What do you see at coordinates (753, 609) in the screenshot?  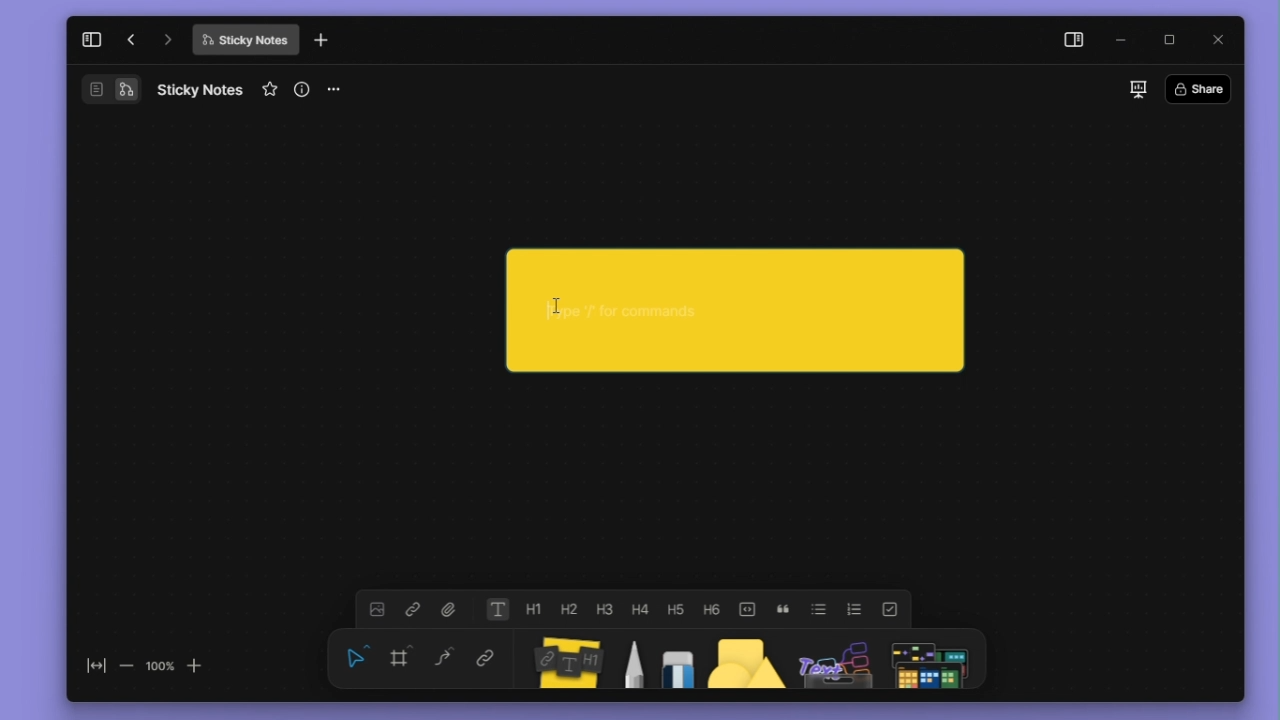 I see `toogle buttons` at bounding box center [753, 609].